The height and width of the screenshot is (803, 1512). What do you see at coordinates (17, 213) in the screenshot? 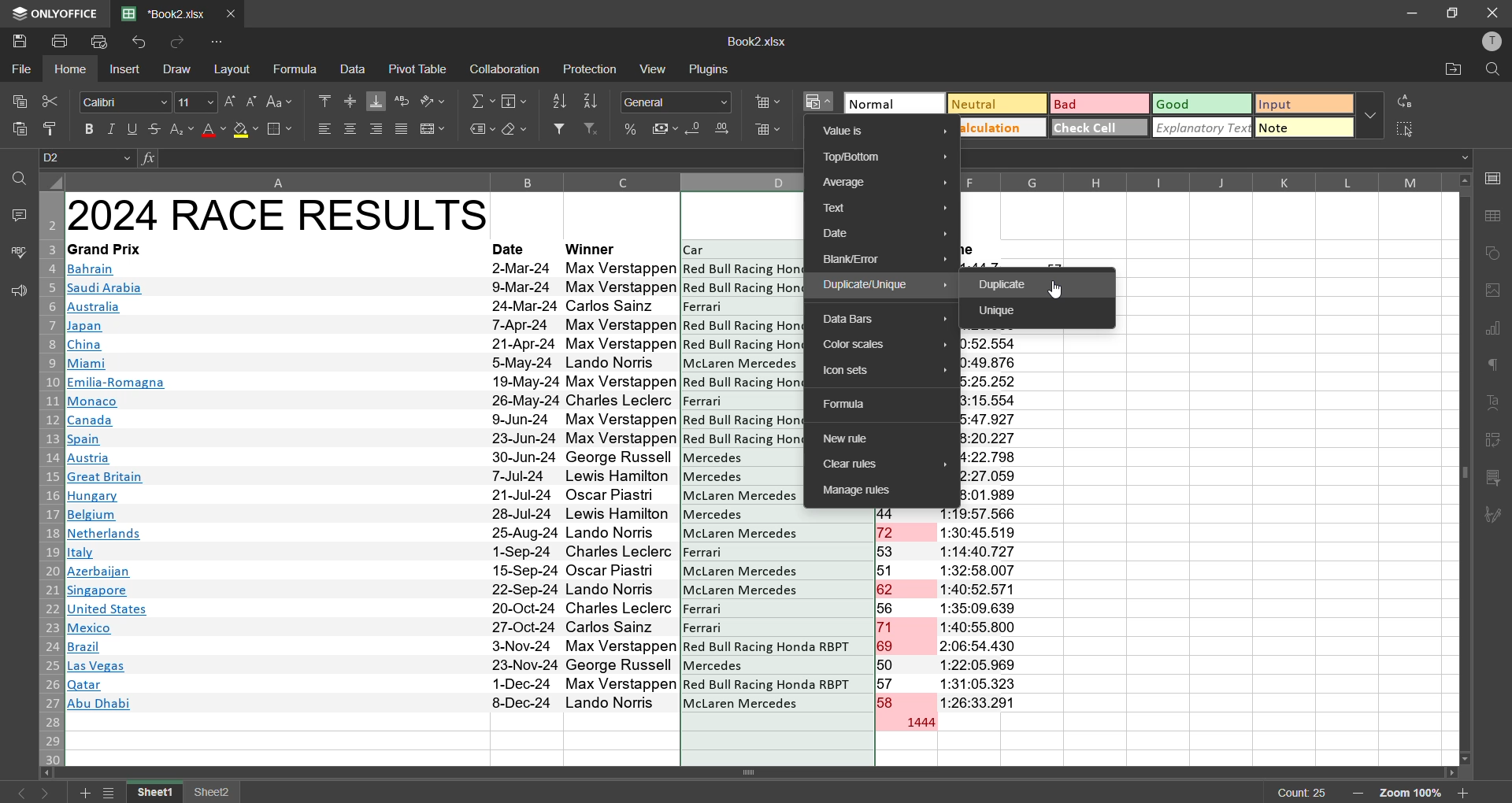
I see `comments` at bounding box center [17, 213].